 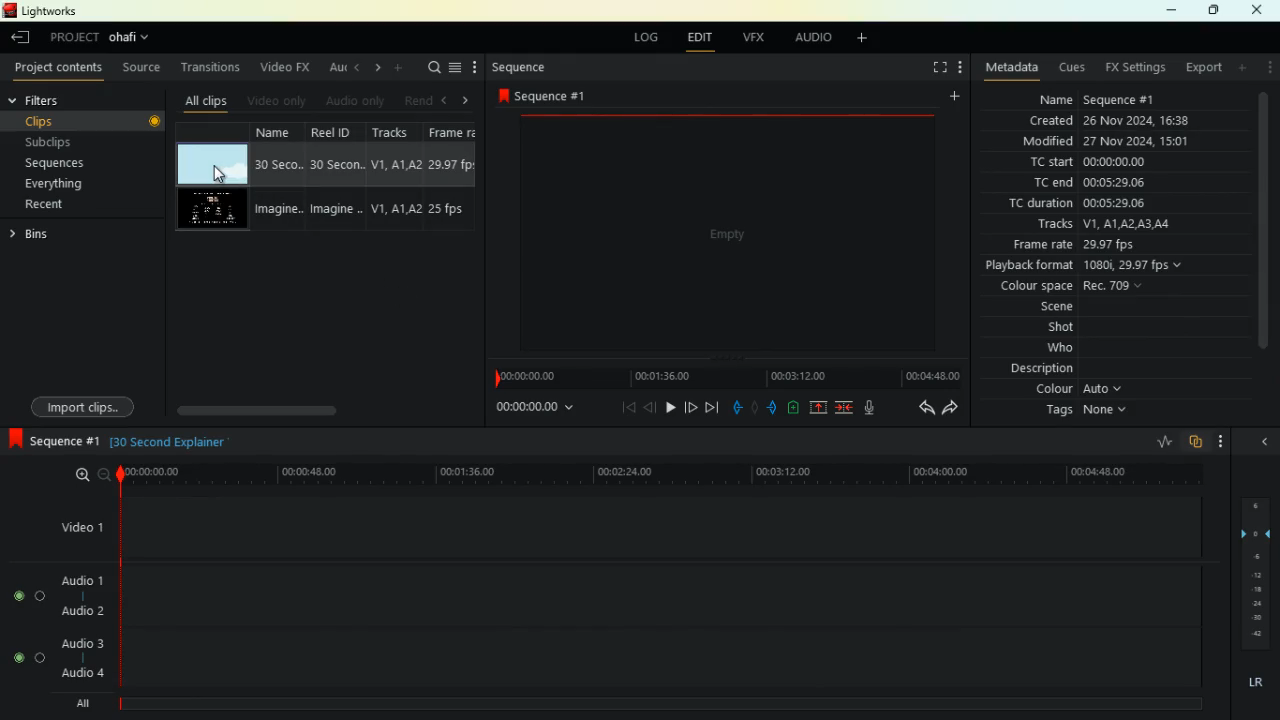 What do you see at coordinates (1169, 11) in the screenshot?
I see `minimize` at bounding box center [1169, 11].